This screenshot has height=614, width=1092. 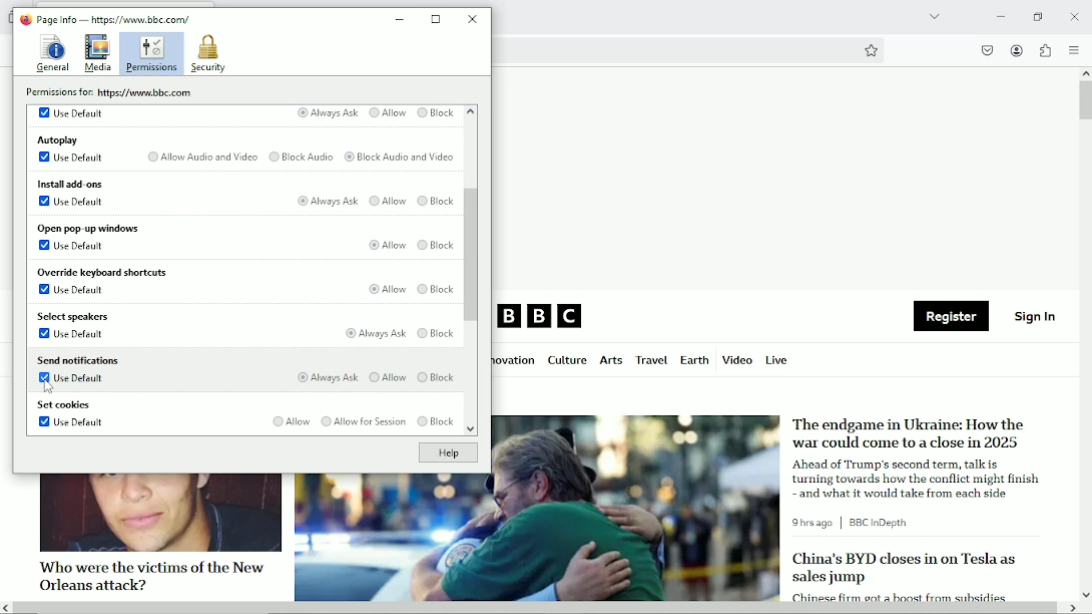 I want to click on Innovation, so click(x=515, y=361).